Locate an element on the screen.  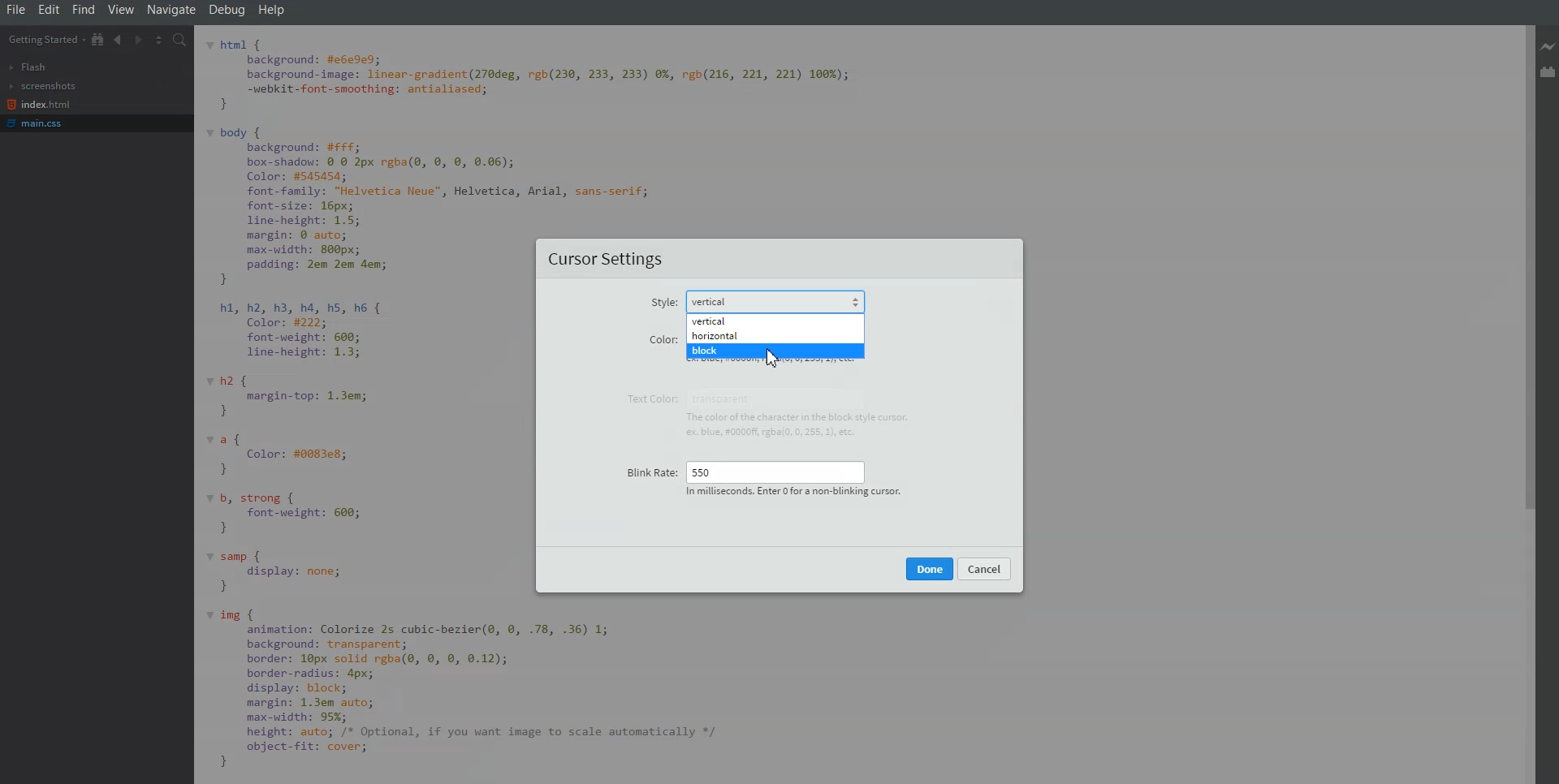
Show in File Tree is located at coordinates (98, 39).